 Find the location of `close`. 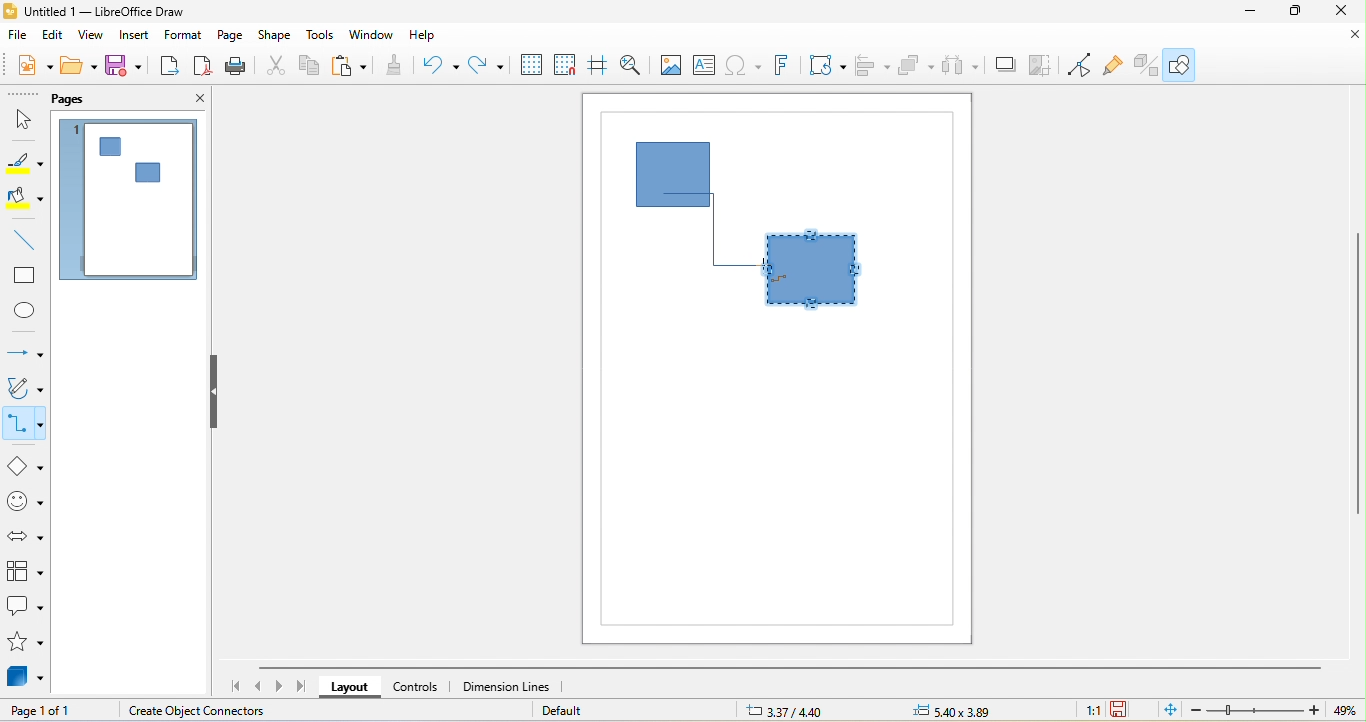

close is located at coordinates (1351, 34).